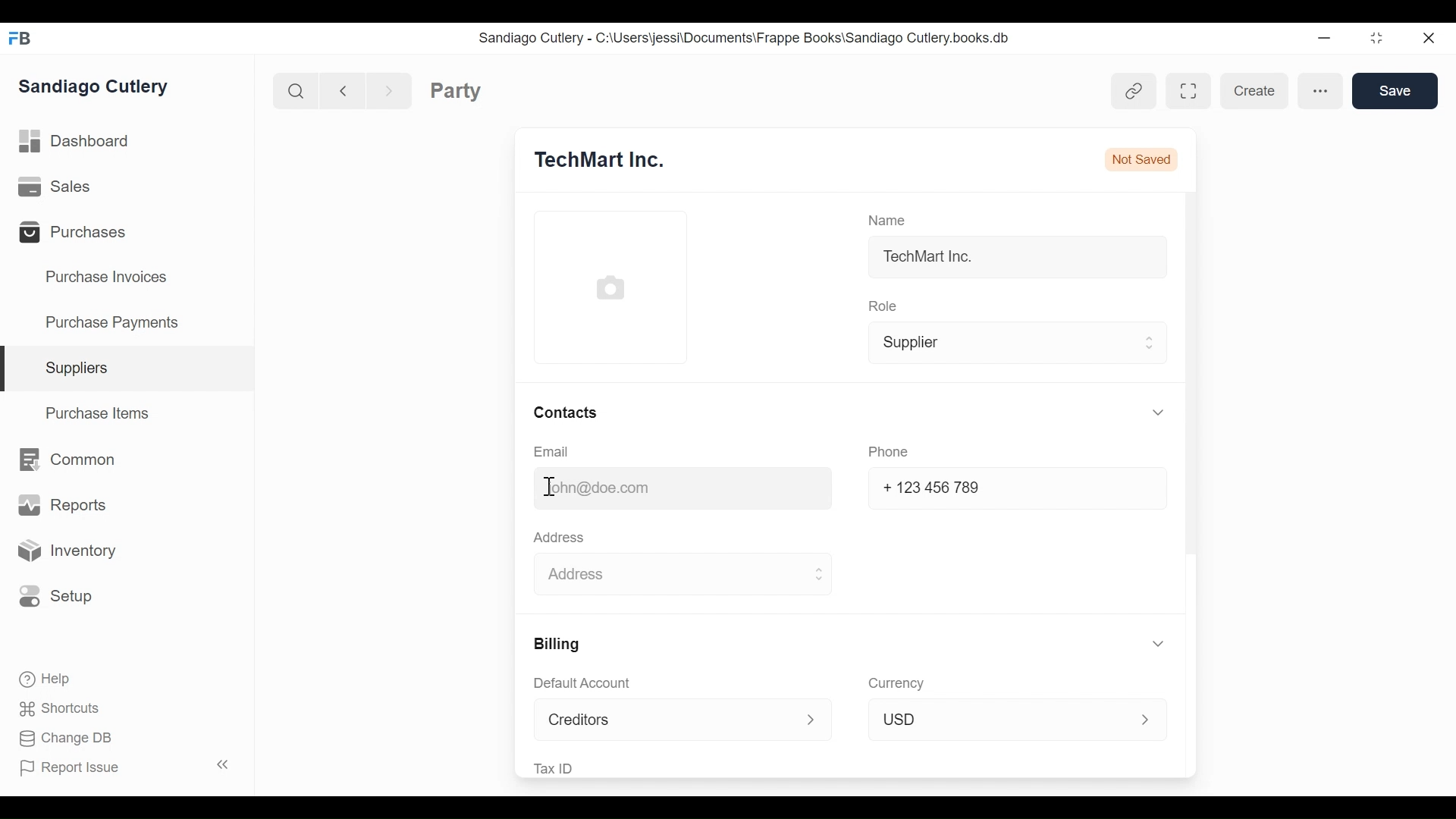 Image resolution: width=1456 pixels, height=819 pixels. I want to click on profile picture, so click(610, 289).